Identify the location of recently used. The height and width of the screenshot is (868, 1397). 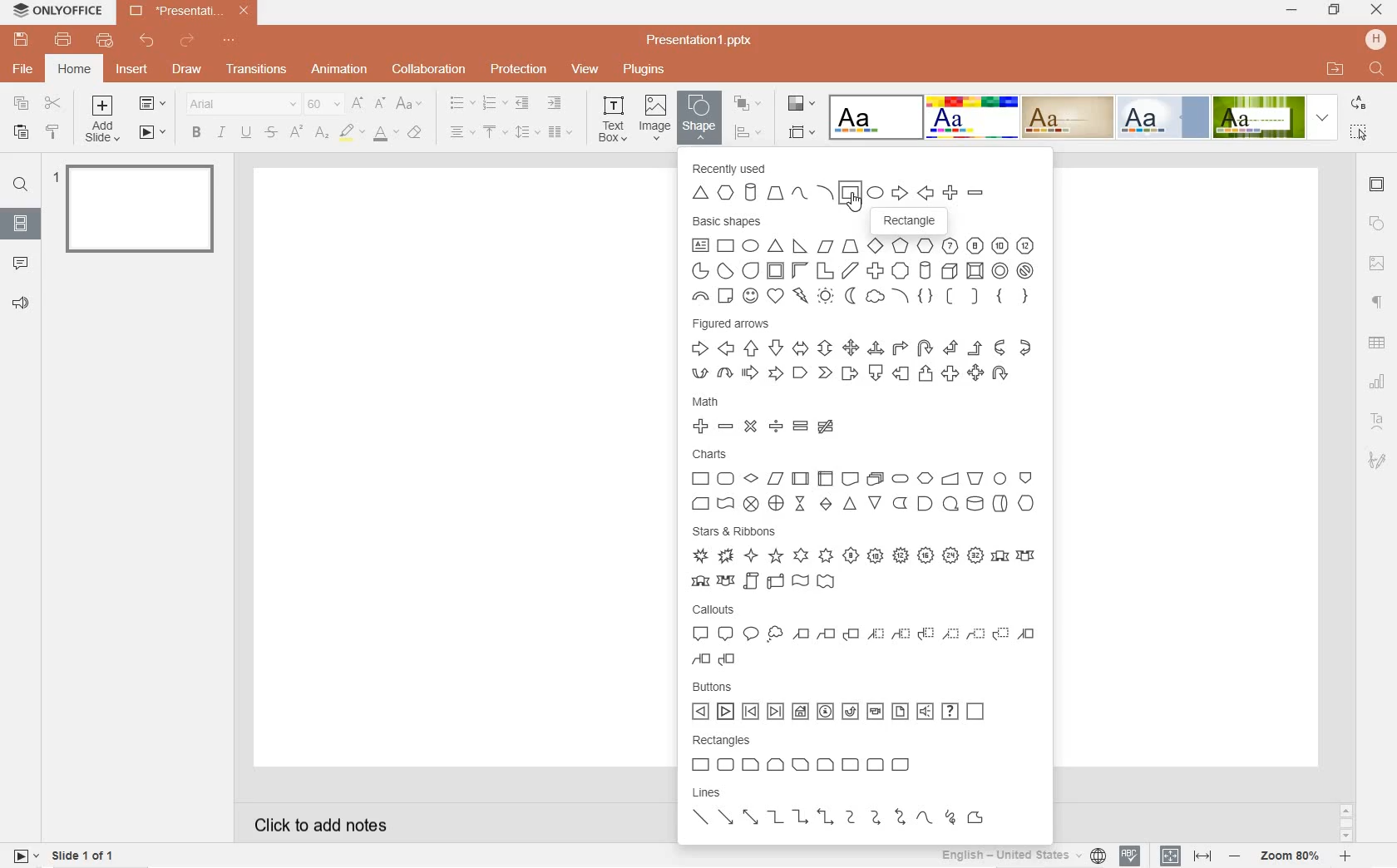
(727, 168).